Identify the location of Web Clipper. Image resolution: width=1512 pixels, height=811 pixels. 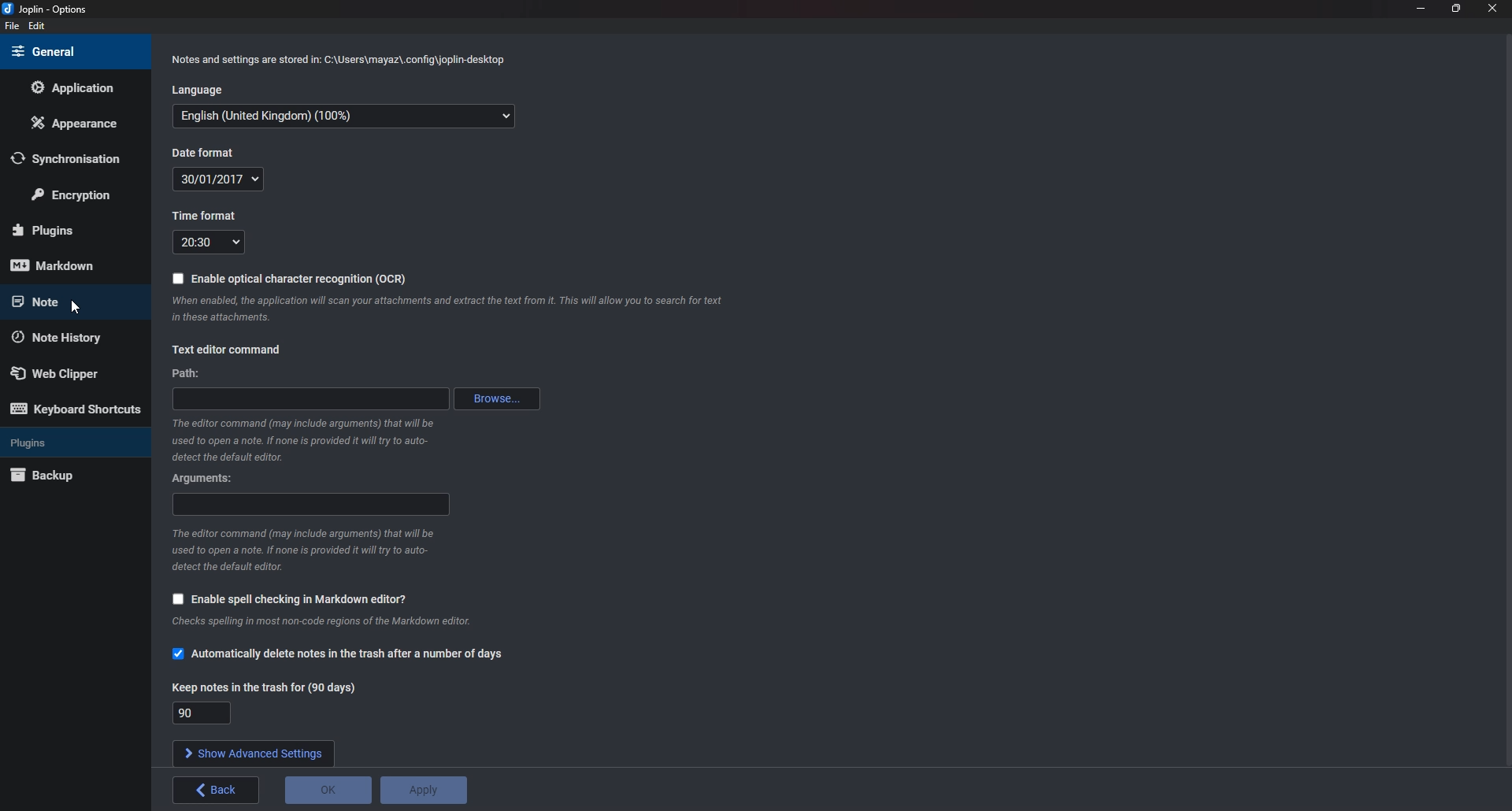
(73, 371).